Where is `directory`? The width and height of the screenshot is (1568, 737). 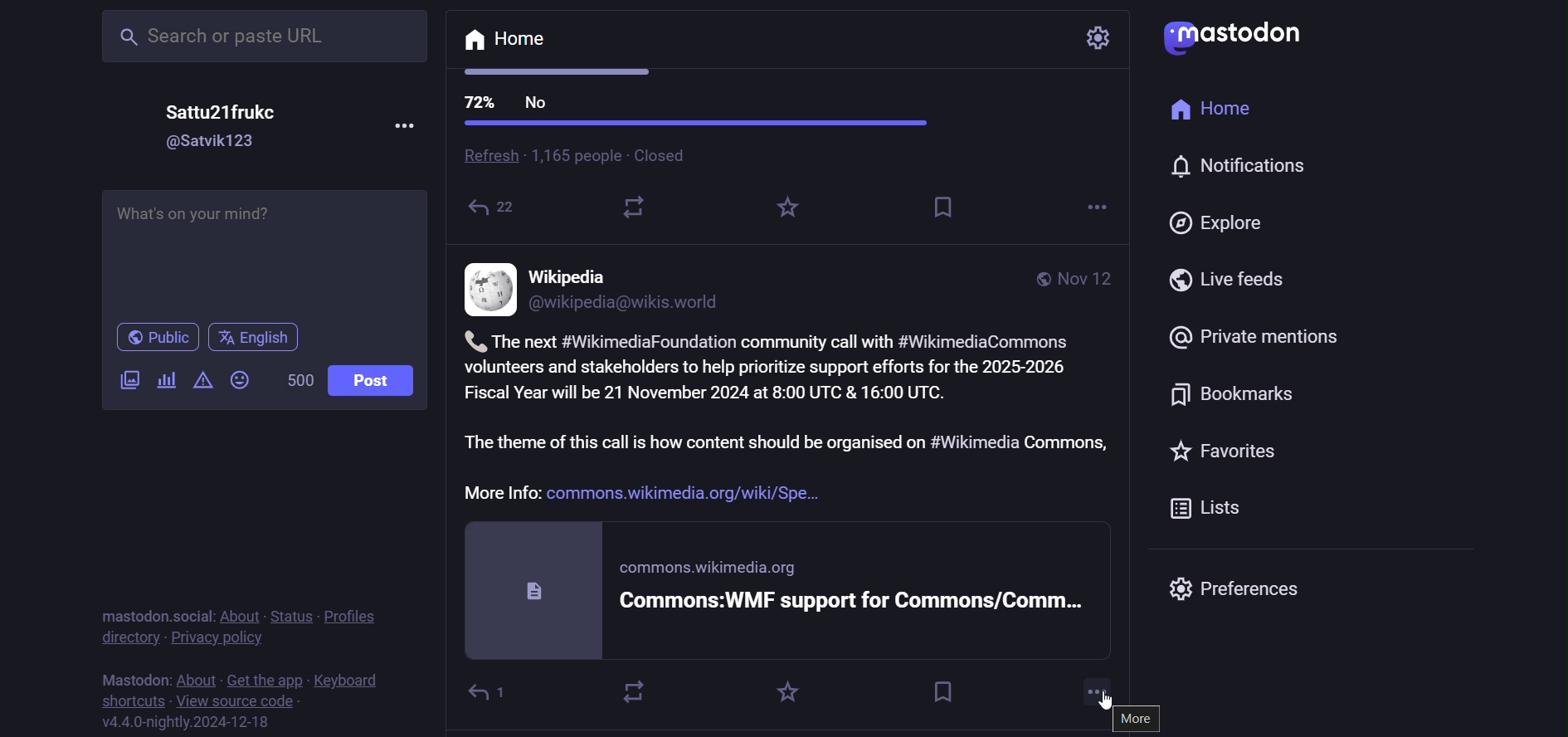 directory is located at coordinates (129, 640).